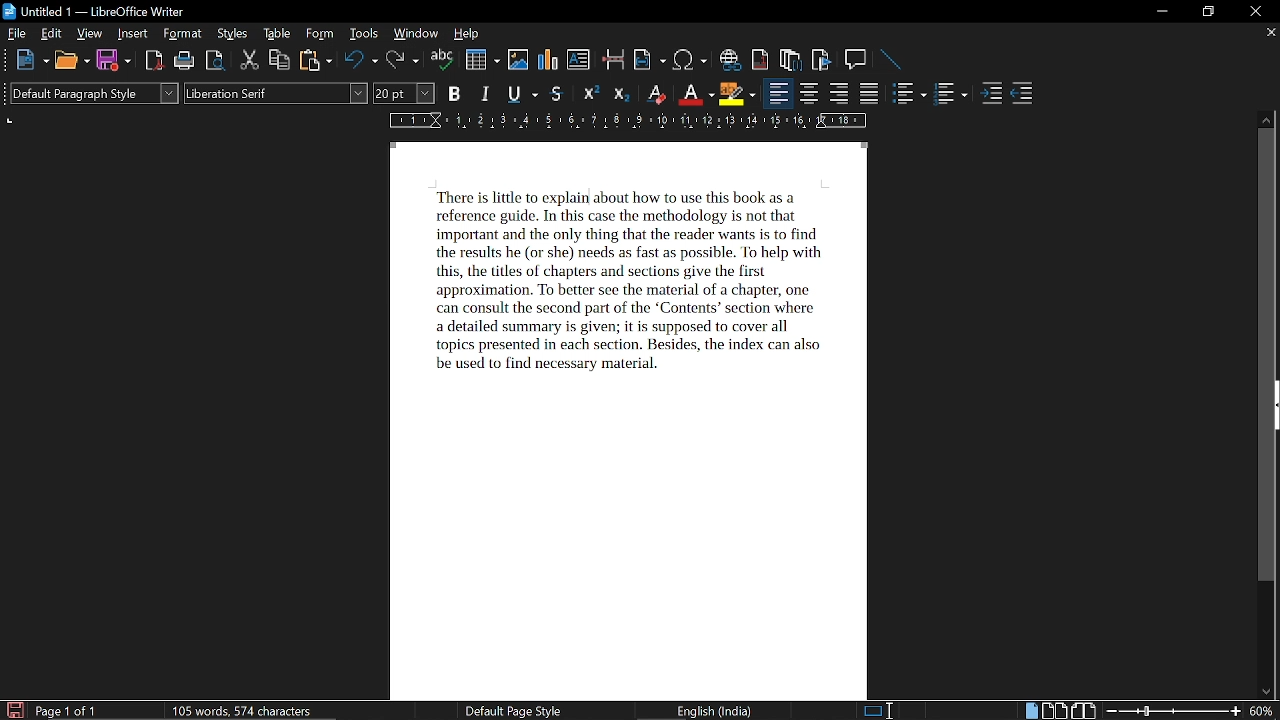 This screenshot has height=720, width=1280. I want to click on insert text, so click(578, 60).